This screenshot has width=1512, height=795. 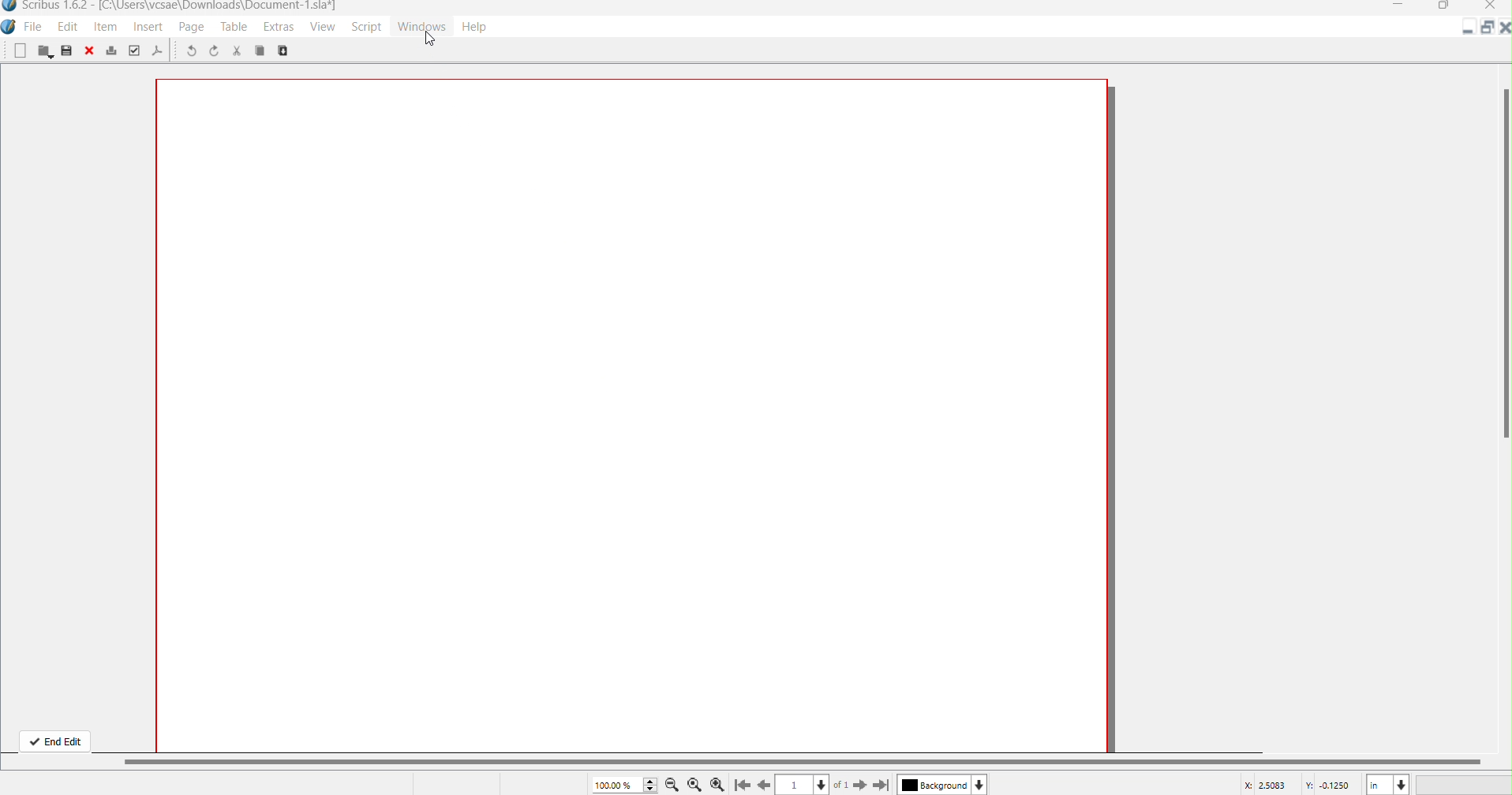 I want to click on Close, so click(x=1503, y=28).